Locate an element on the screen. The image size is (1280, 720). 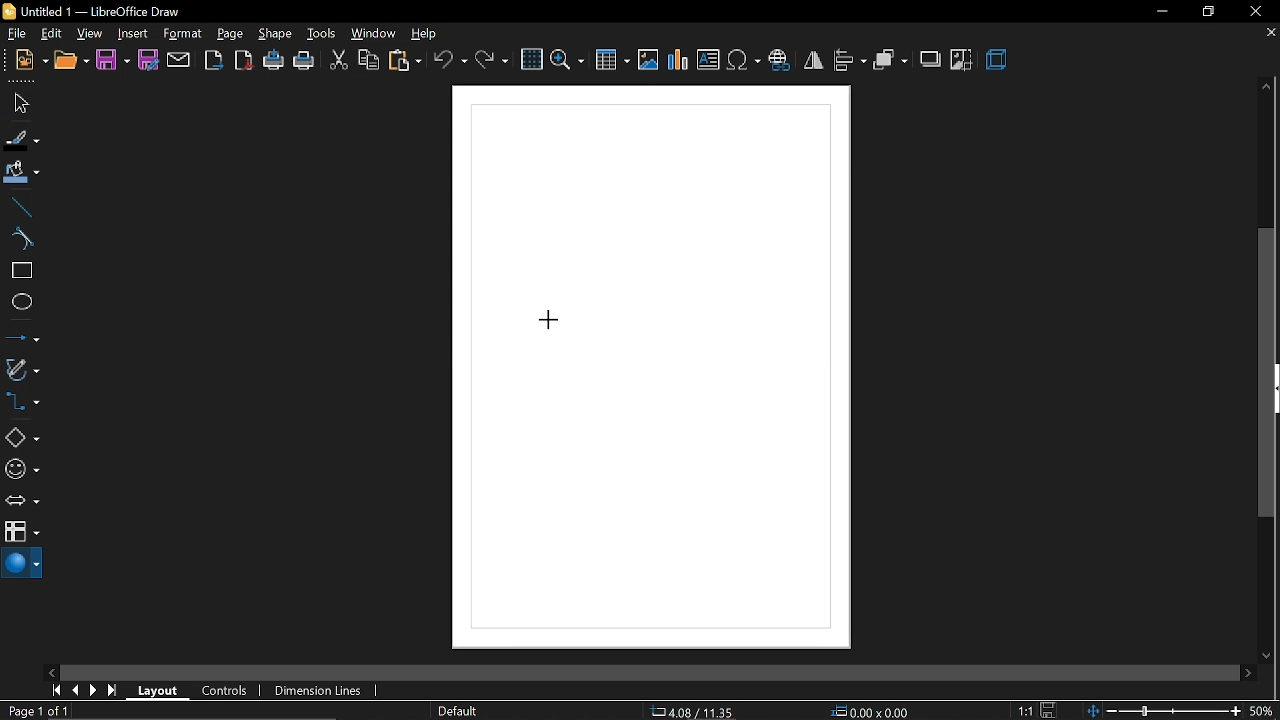
ellipse is located at coordinates (18, 301).